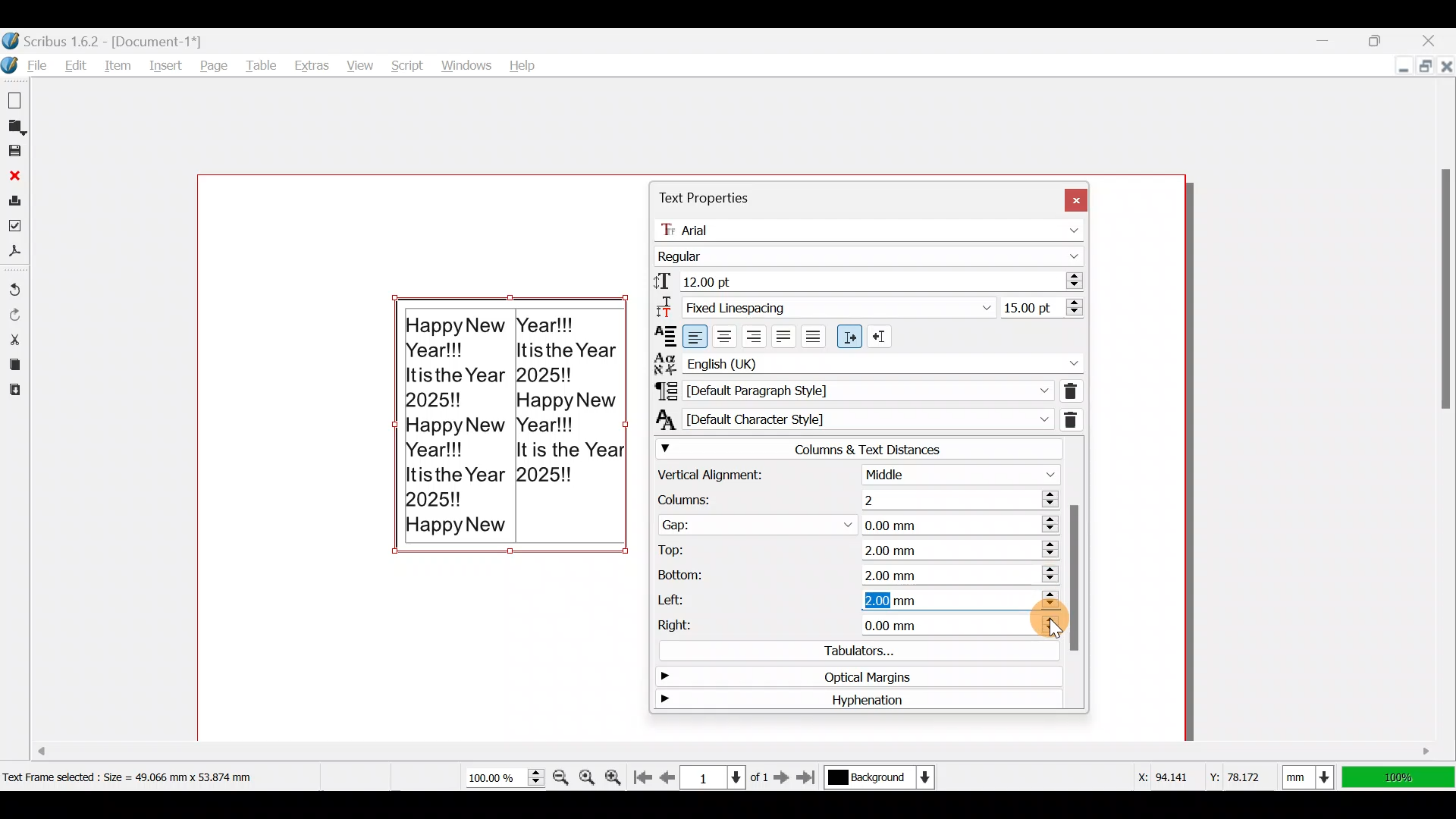  Describe the element at coordinates (76, 64) in the screenshot. I see `Edit` at that location.